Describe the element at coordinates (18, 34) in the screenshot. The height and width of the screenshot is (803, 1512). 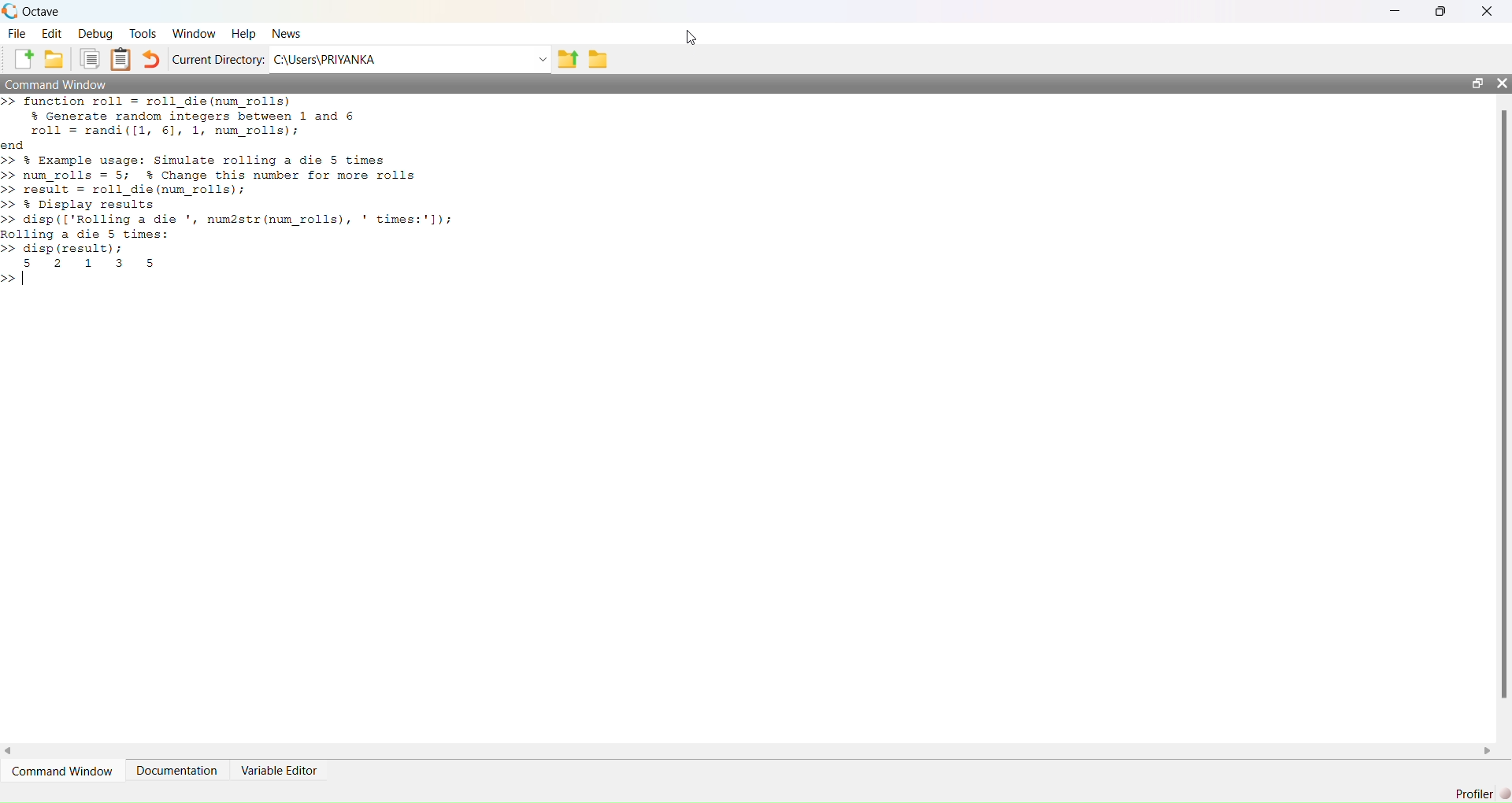
I see `file` at that location.